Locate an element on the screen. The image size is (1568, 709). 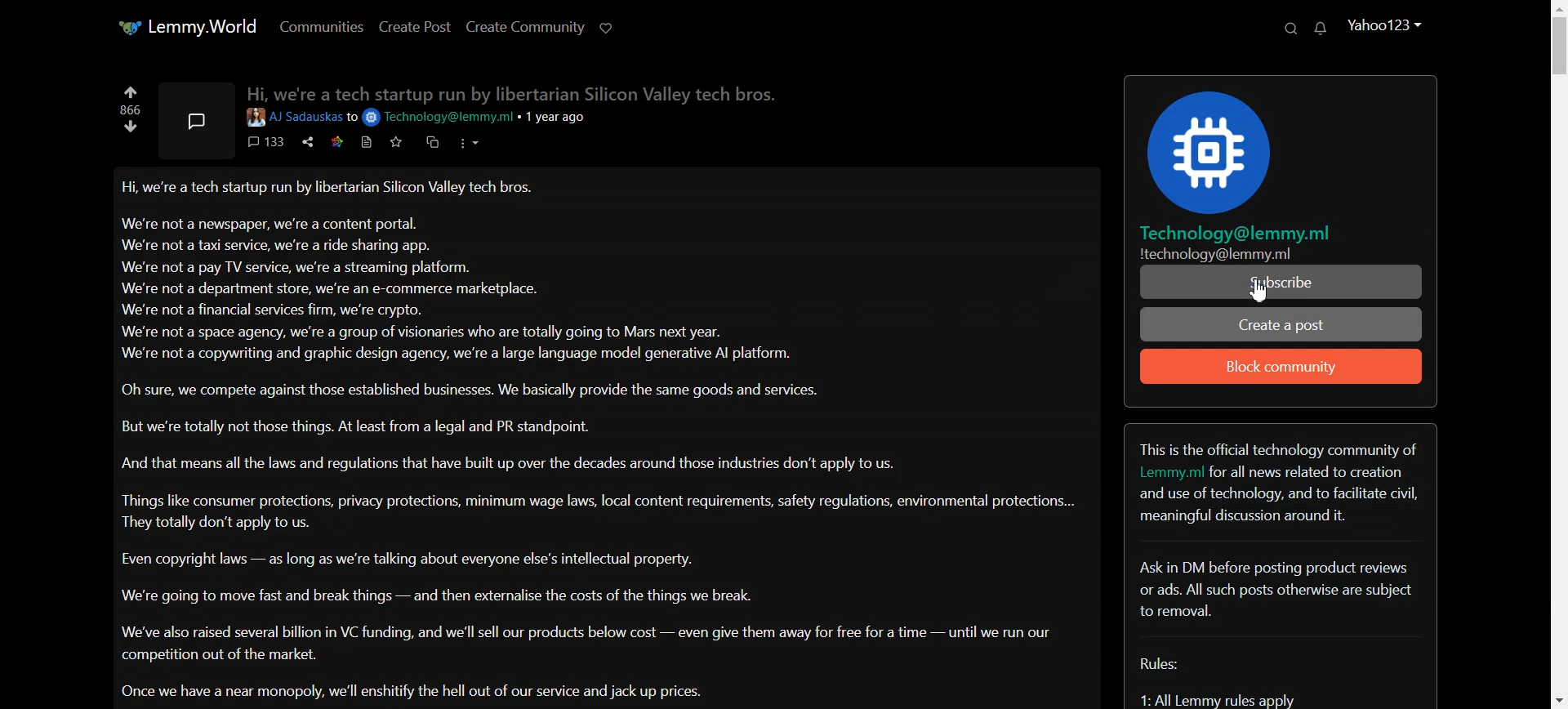
Down vote is located at coordinates (131, 127).